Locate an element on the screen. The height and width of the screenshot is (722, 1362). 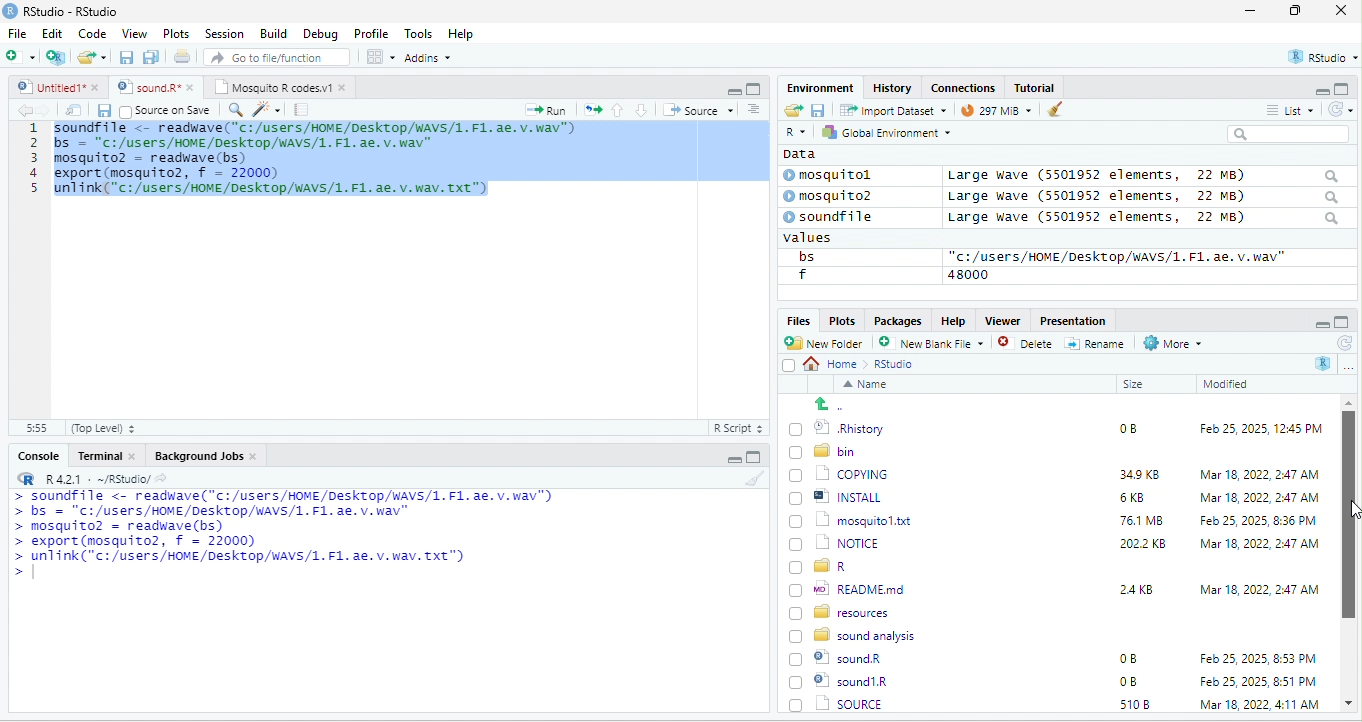
rstudio is located at coordinates (1319, 58).